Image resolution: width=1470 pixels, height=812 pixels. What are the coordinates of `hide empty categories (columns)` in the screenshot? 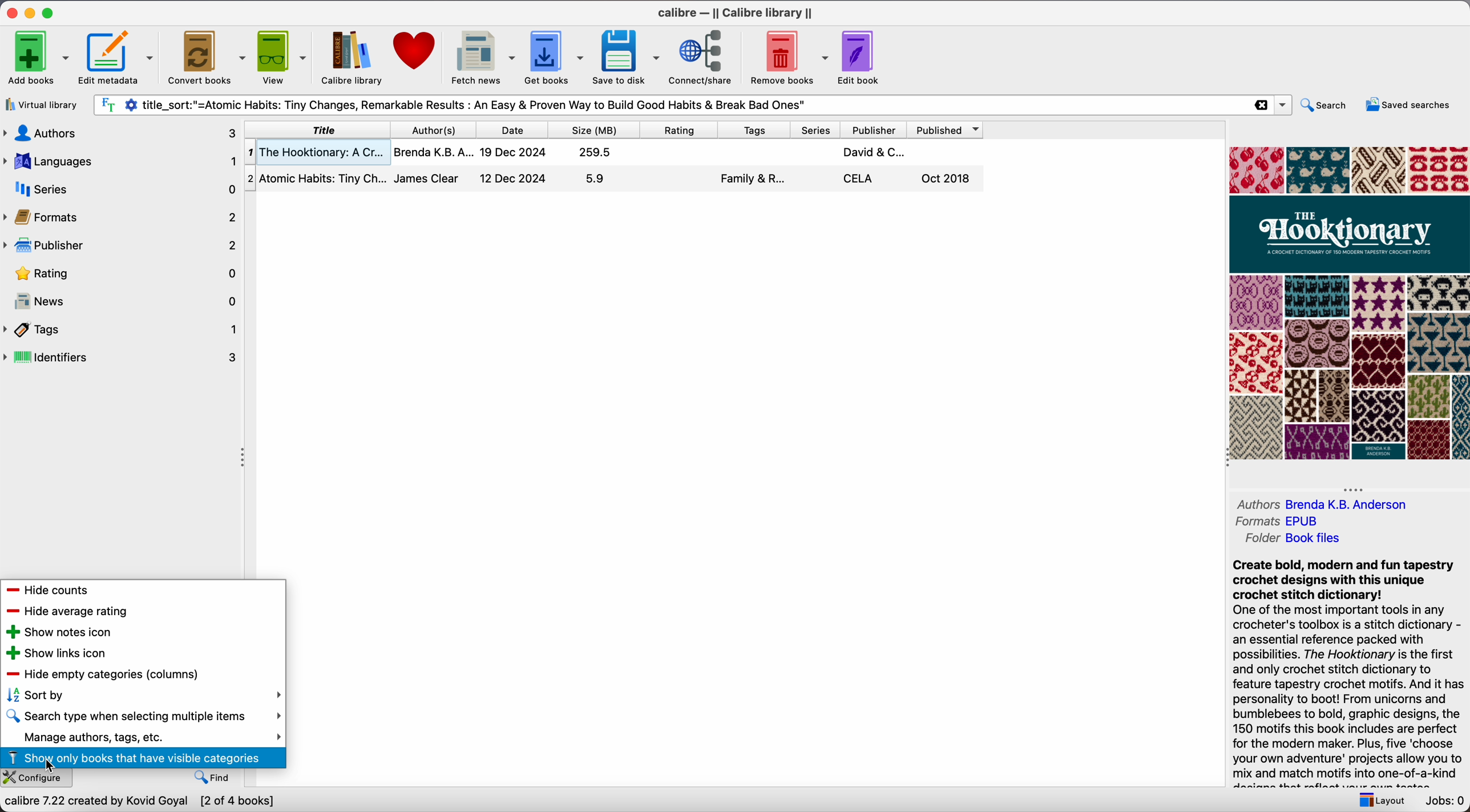 It's located at (102, 673).